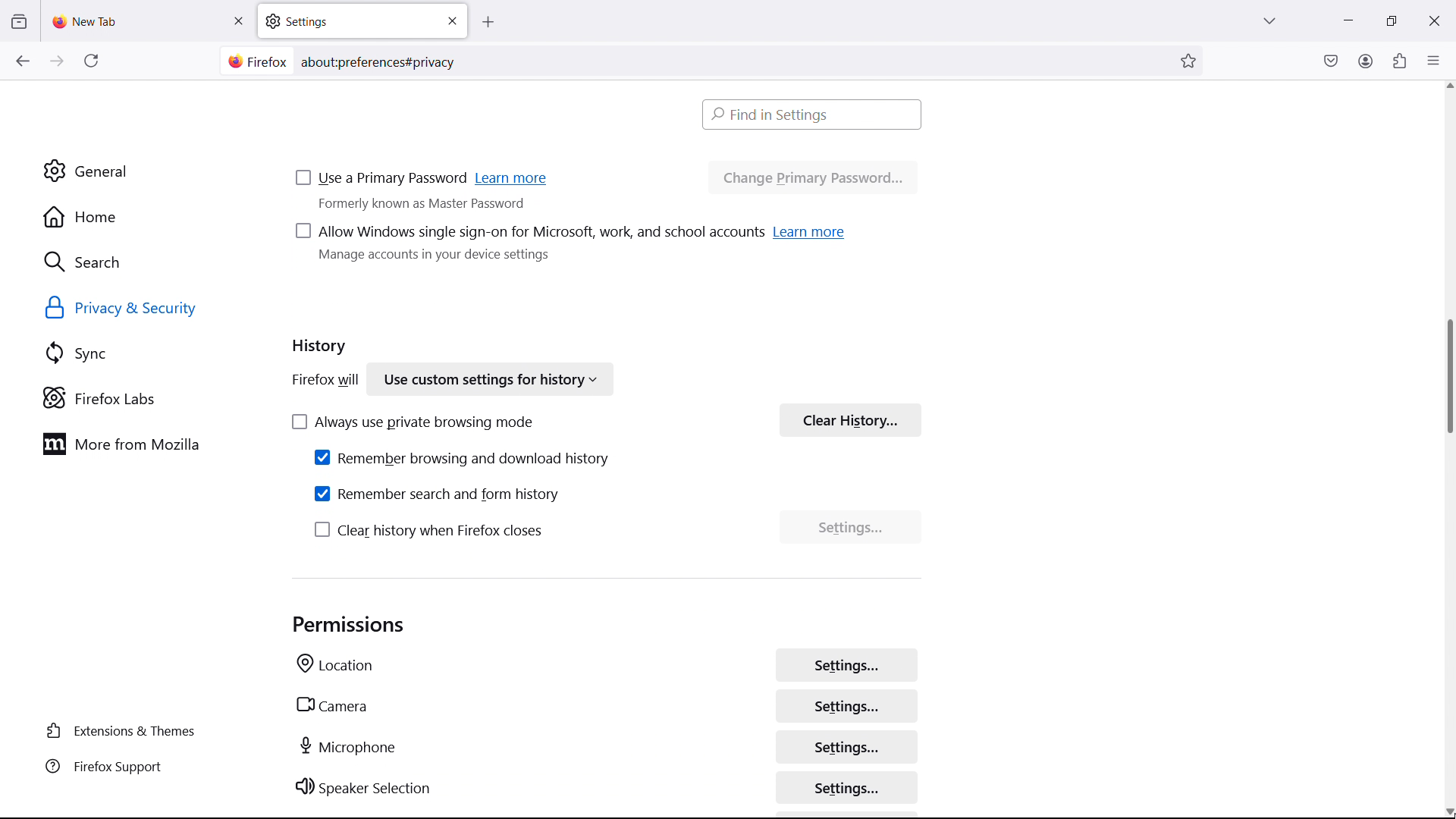 This screenshot has width=1456, height=819. I want to click on remember search and form history, so click(438, 491).